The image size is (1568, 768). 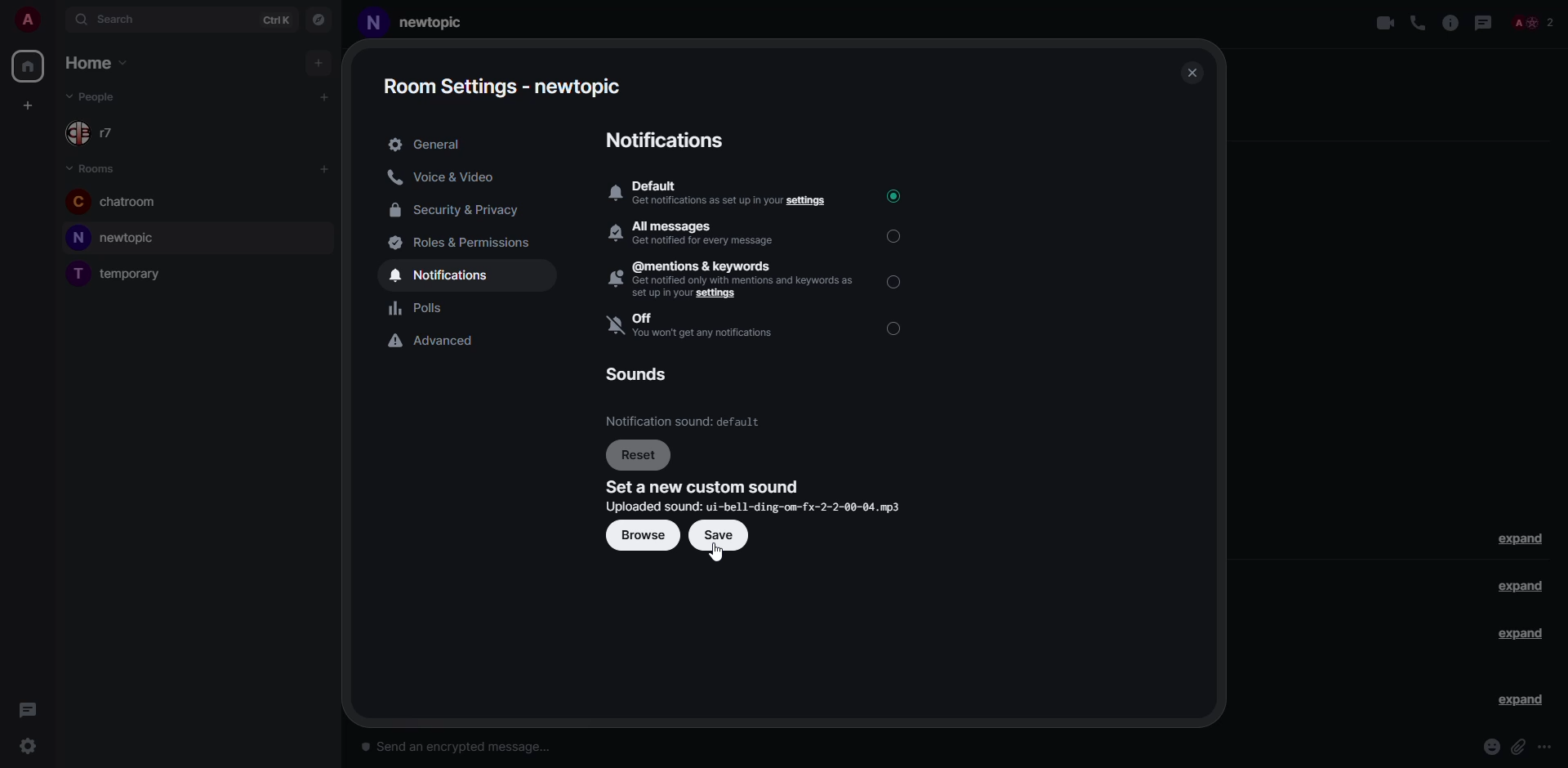 I want to click on threads, so click(x=1483, y=22).